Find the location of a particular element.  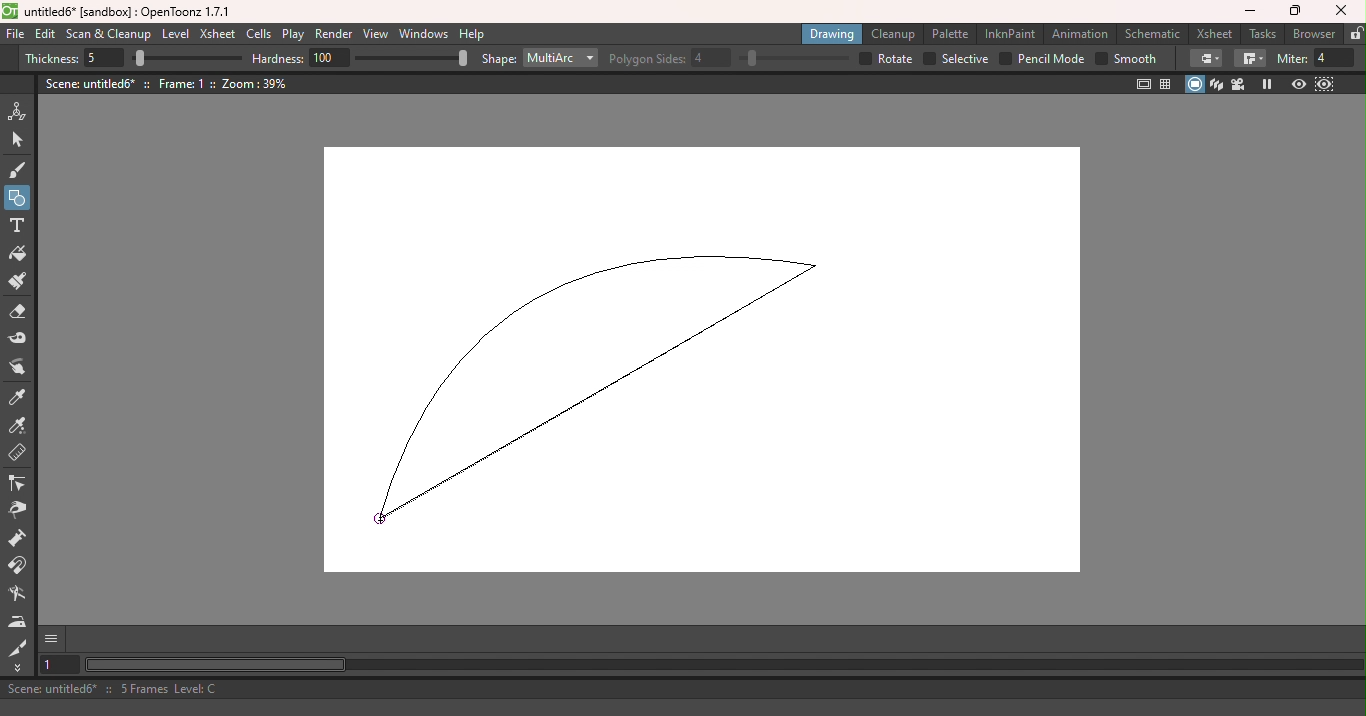

Rotate is located at coordinates (886, 59).